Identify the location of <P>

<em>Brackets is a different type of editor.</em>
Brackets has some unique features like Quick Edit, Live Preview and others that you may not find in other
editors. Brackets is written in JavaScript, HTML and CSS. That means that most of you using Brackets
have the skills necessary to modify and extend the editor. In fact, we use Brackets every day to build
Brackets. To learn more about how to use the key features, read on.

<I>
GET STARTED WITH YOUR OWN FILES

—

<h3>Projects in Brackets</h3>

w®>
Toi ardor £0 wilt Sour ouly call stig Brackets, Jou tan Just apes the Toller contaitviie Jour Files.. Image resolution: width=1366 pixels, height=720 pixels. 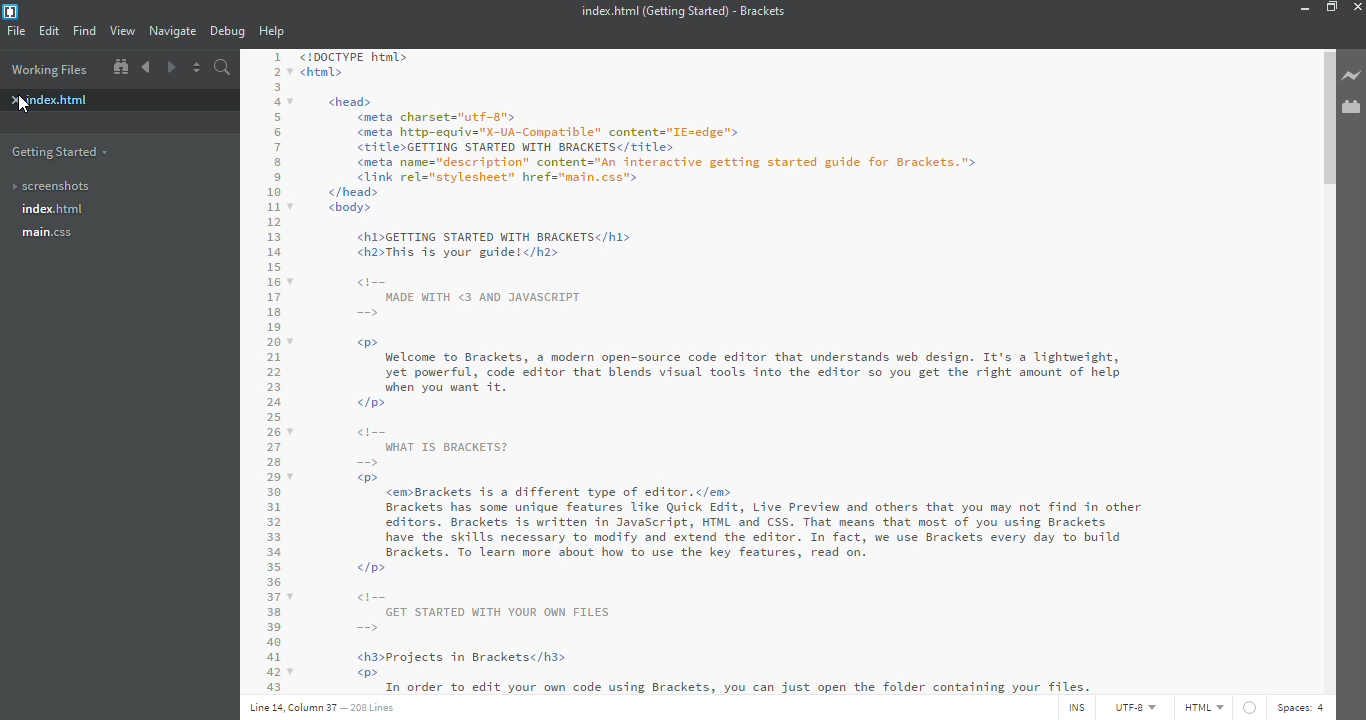
(794, 583).